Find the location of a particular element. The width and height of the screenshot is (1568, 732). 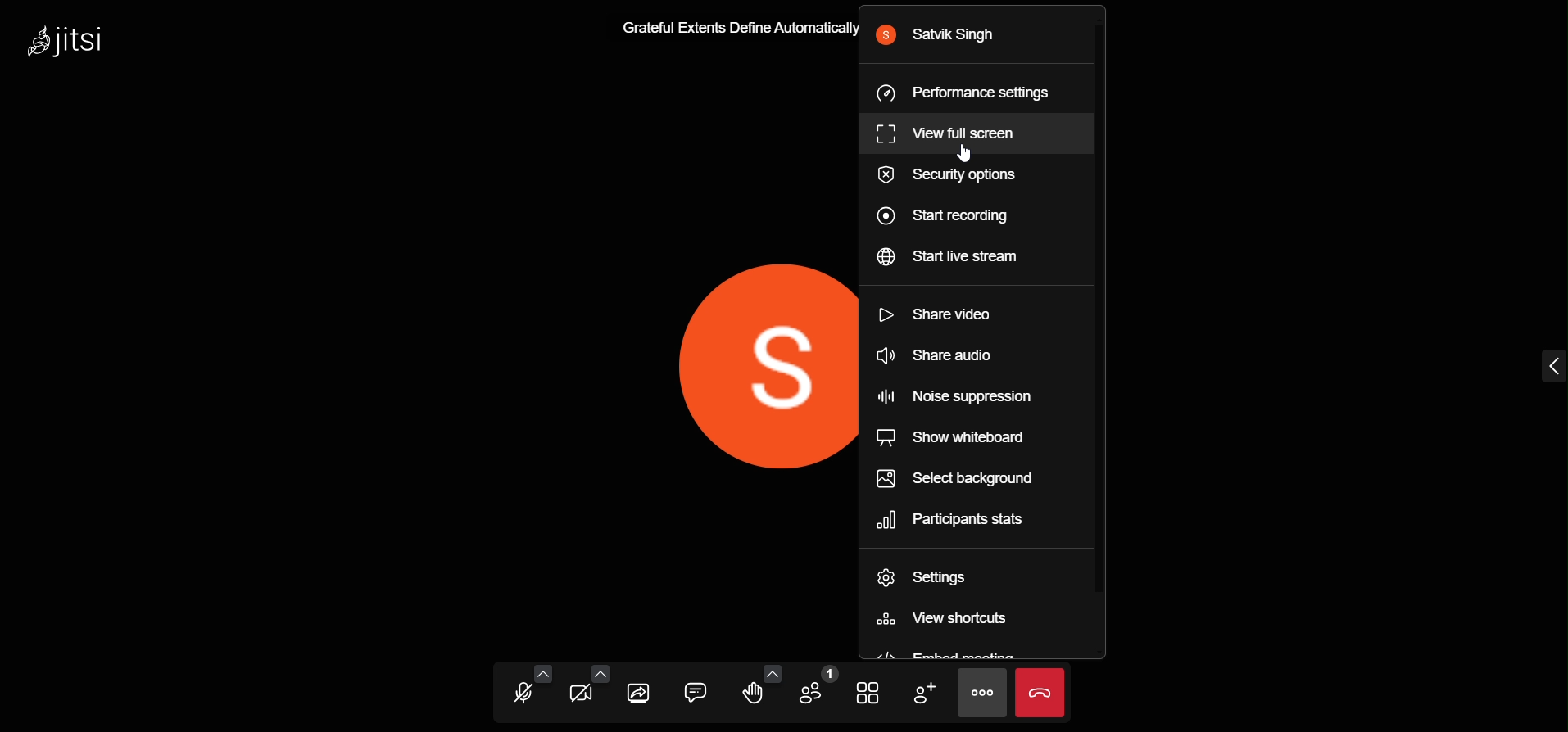

share video is located at coordinates (936, 314).